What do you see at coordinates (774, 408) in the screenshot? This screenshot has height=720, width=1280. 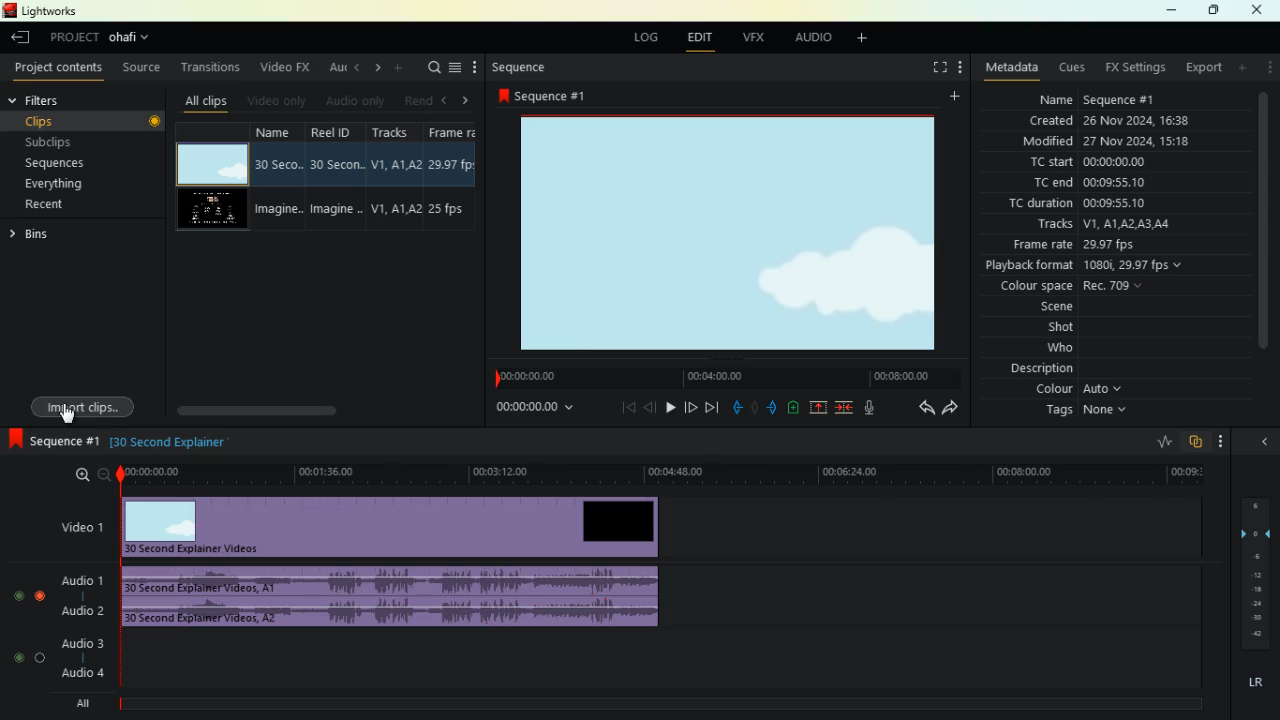 I see `push` at bounding box center [774, 408].